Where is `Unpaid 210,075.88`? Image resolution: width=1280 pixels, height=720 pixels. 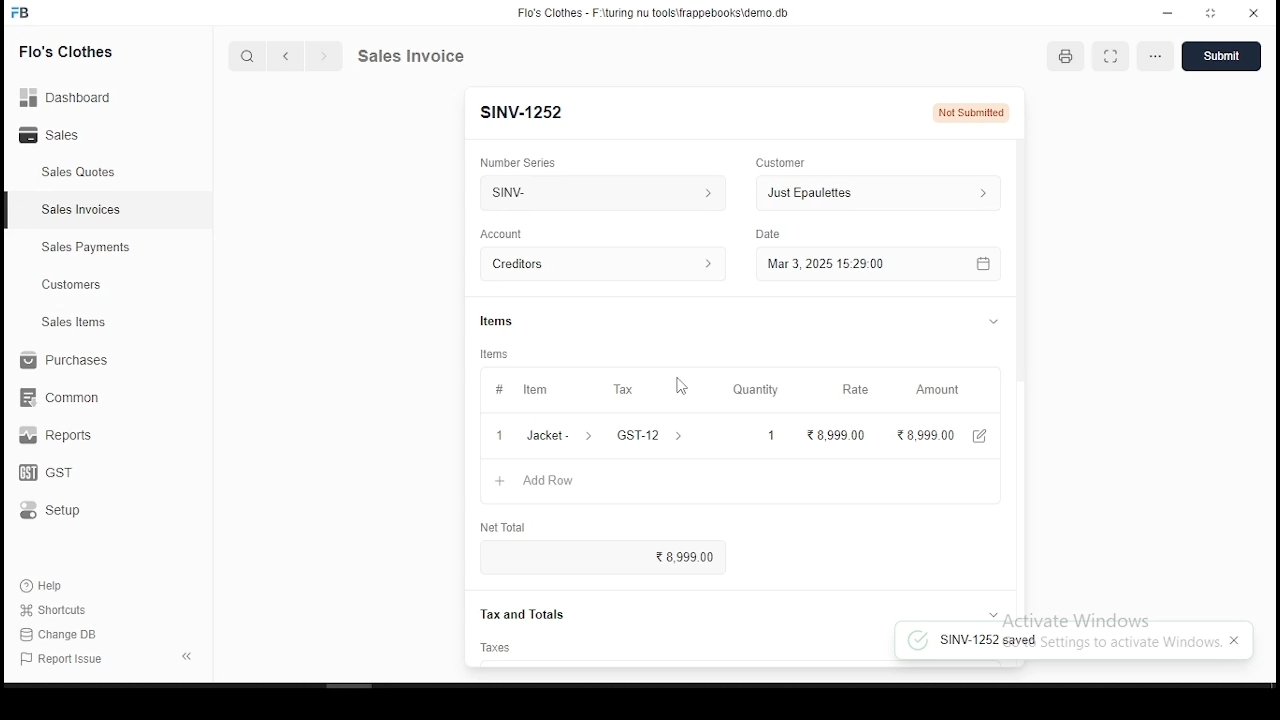
Unpaid 210,075.88 is located at coordinates (964, 112).